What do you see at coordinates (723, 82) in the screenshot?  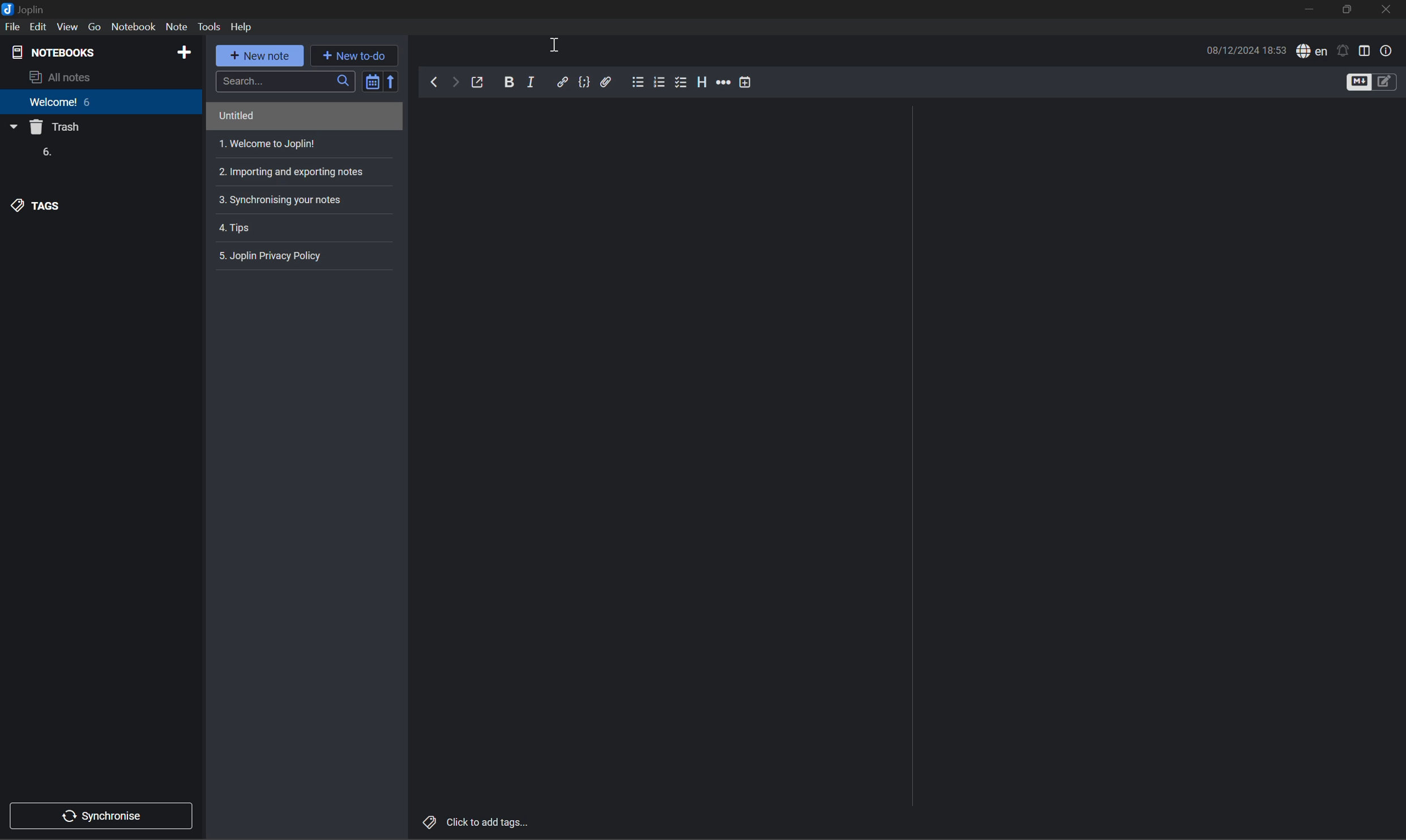 I see `More` at bounding box center [723, 82].